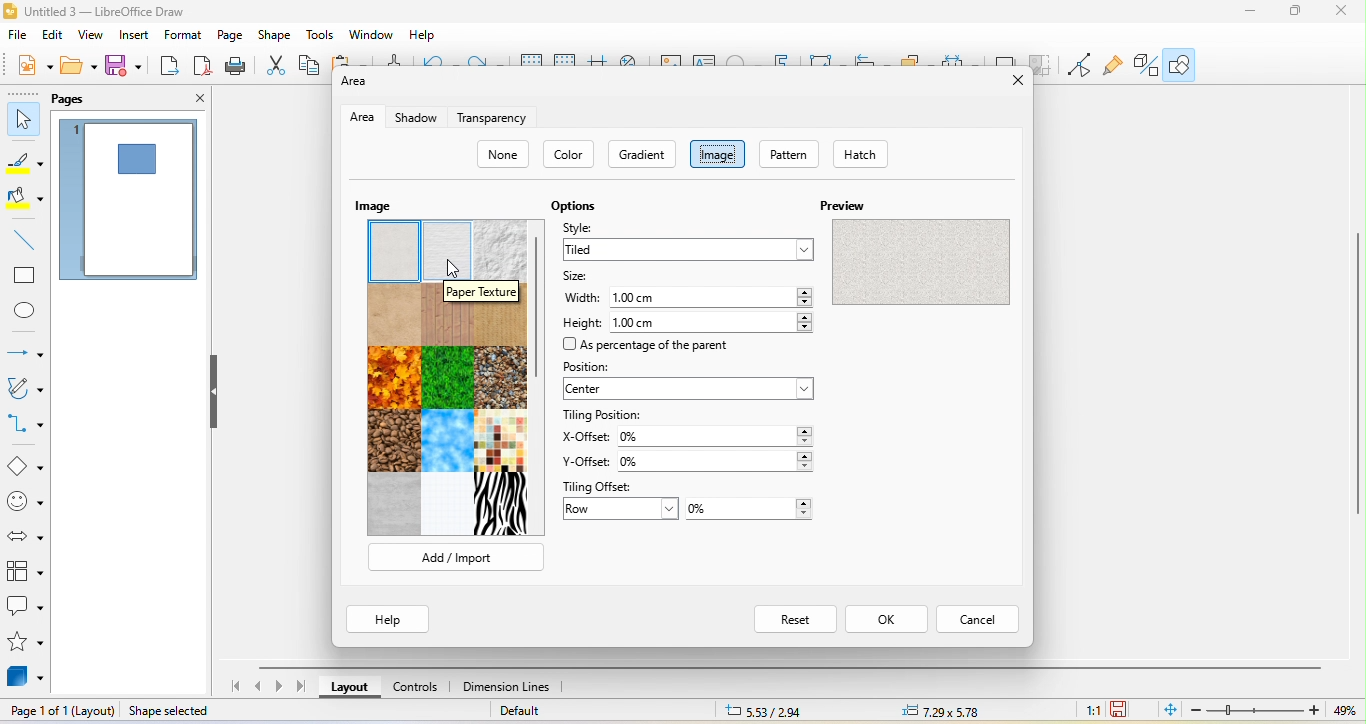 Image resolution: width=1366 pixels, height=724 pixels. What do you see at coordinates (580, 300) in the screenshot?
I see `width` at bounding box center [580, 300].